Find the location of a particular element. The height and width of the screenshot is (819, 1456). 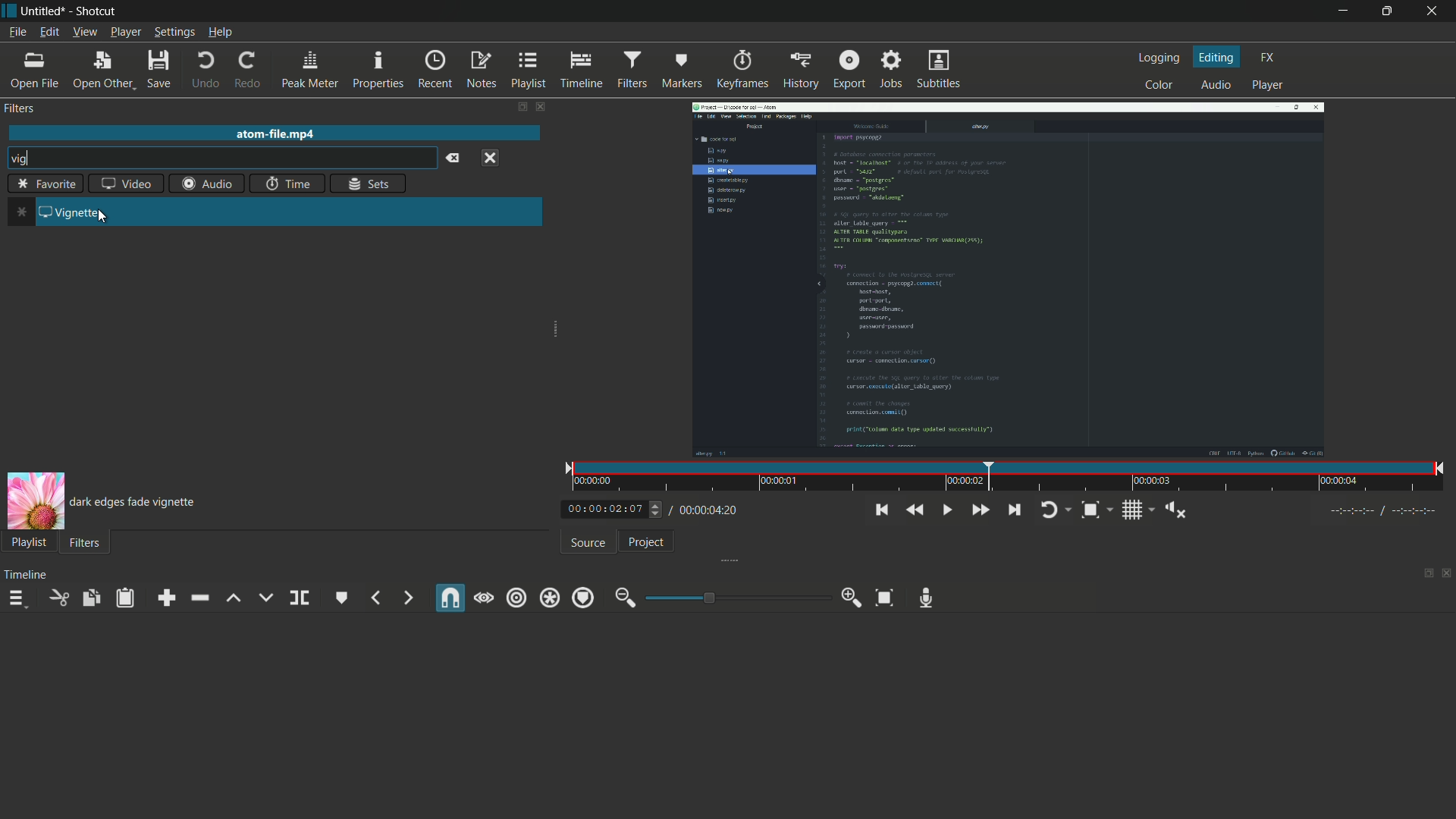

next marker is located at coordinates (408, 599).